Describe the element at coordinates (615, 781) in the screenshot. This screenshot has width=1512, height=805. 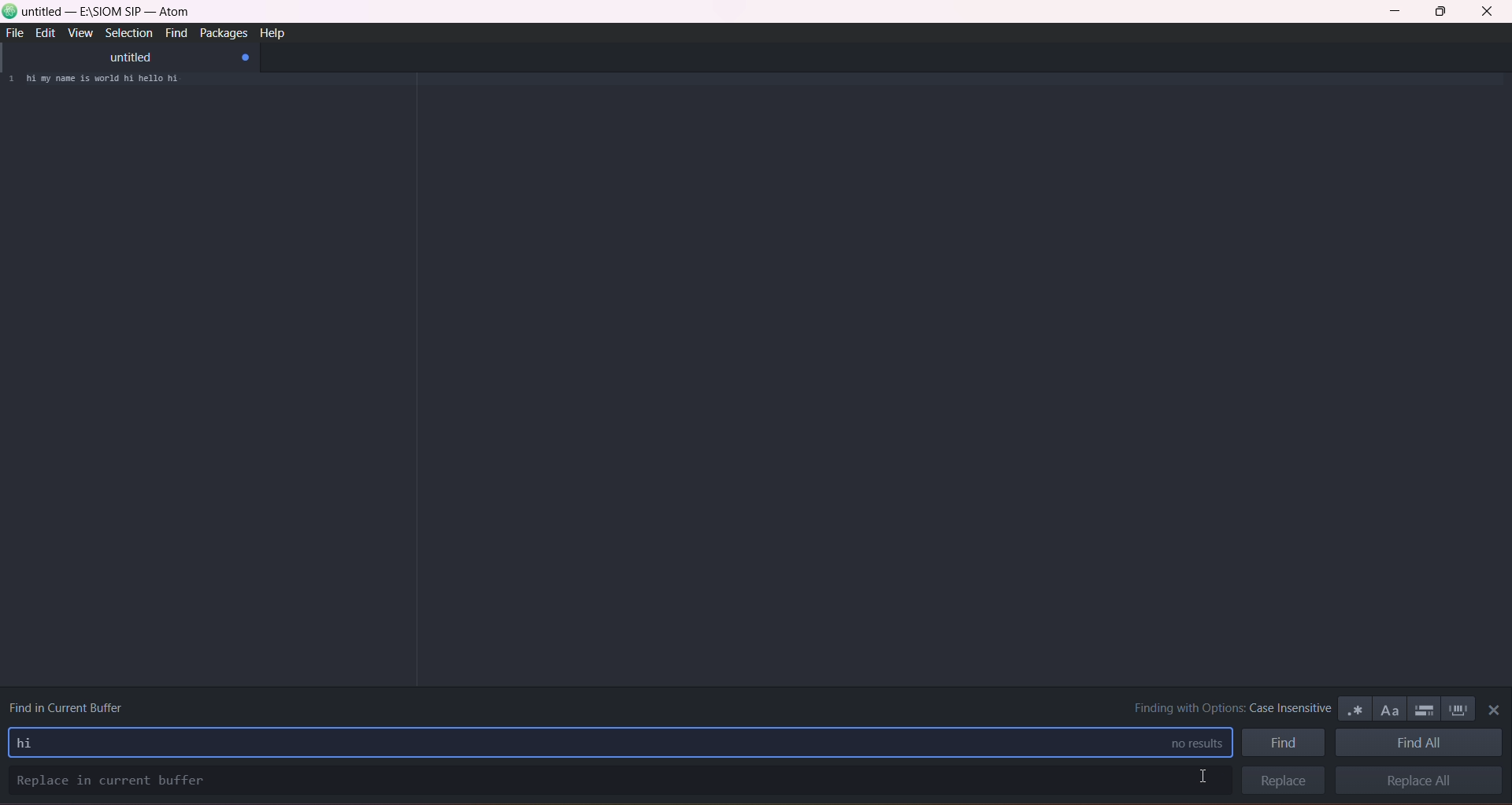
I see `replace type area` at that location.